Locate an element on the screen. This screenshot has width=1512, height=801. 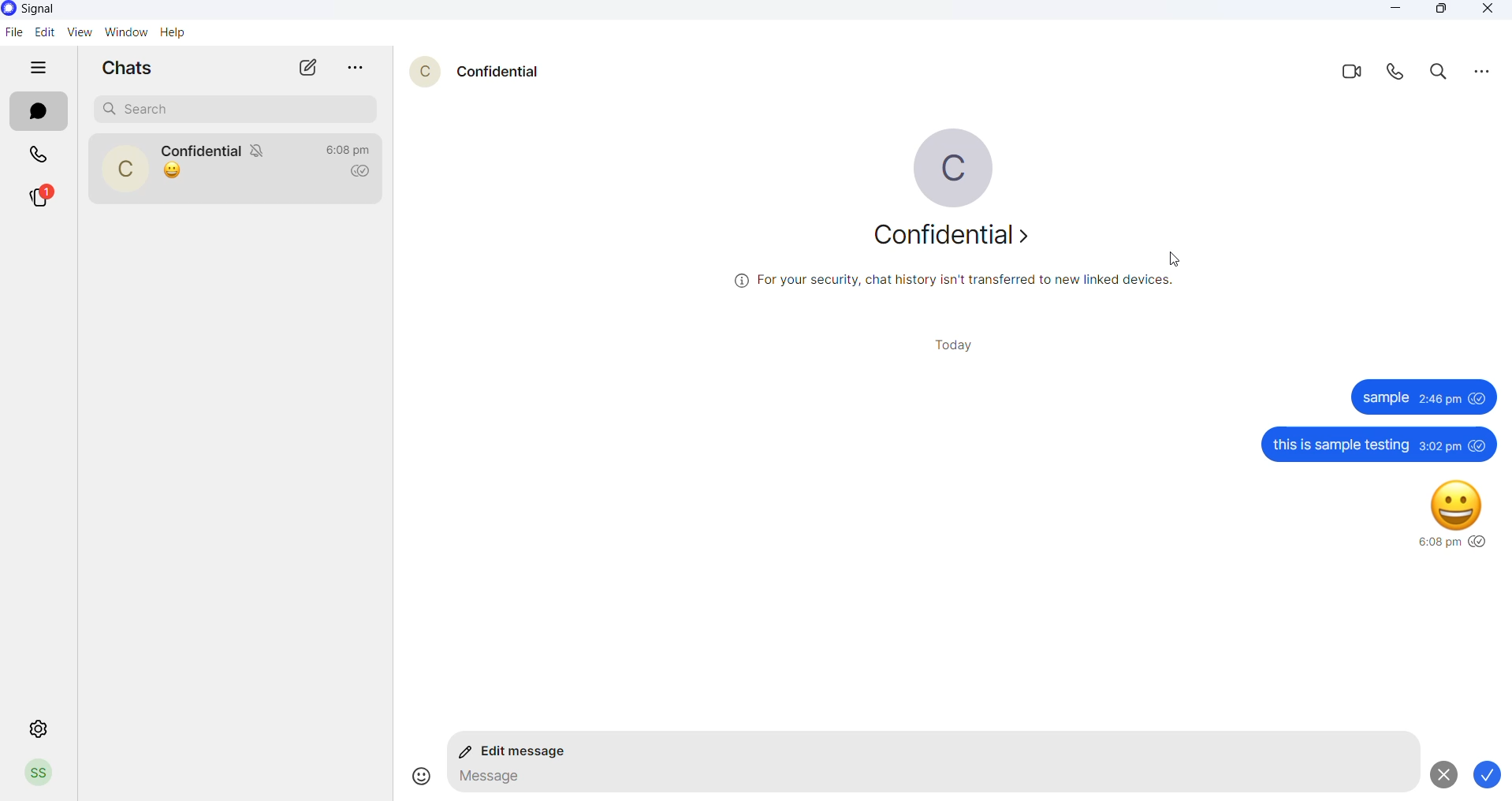
stories is located at coordinates (41, 195).